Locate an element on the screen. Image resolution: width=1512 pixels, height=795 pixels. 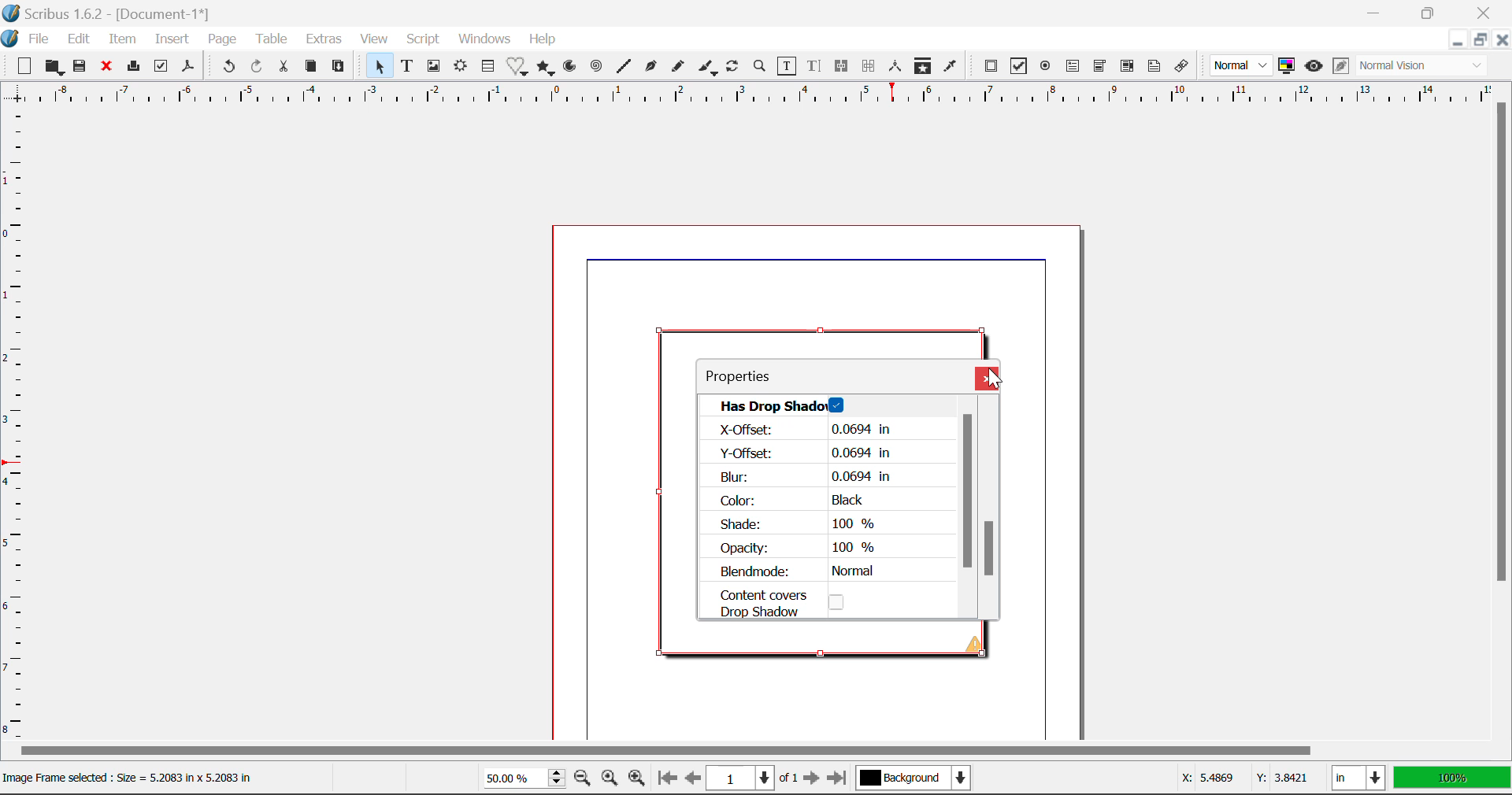
Select is located at coordinates (381, 68).